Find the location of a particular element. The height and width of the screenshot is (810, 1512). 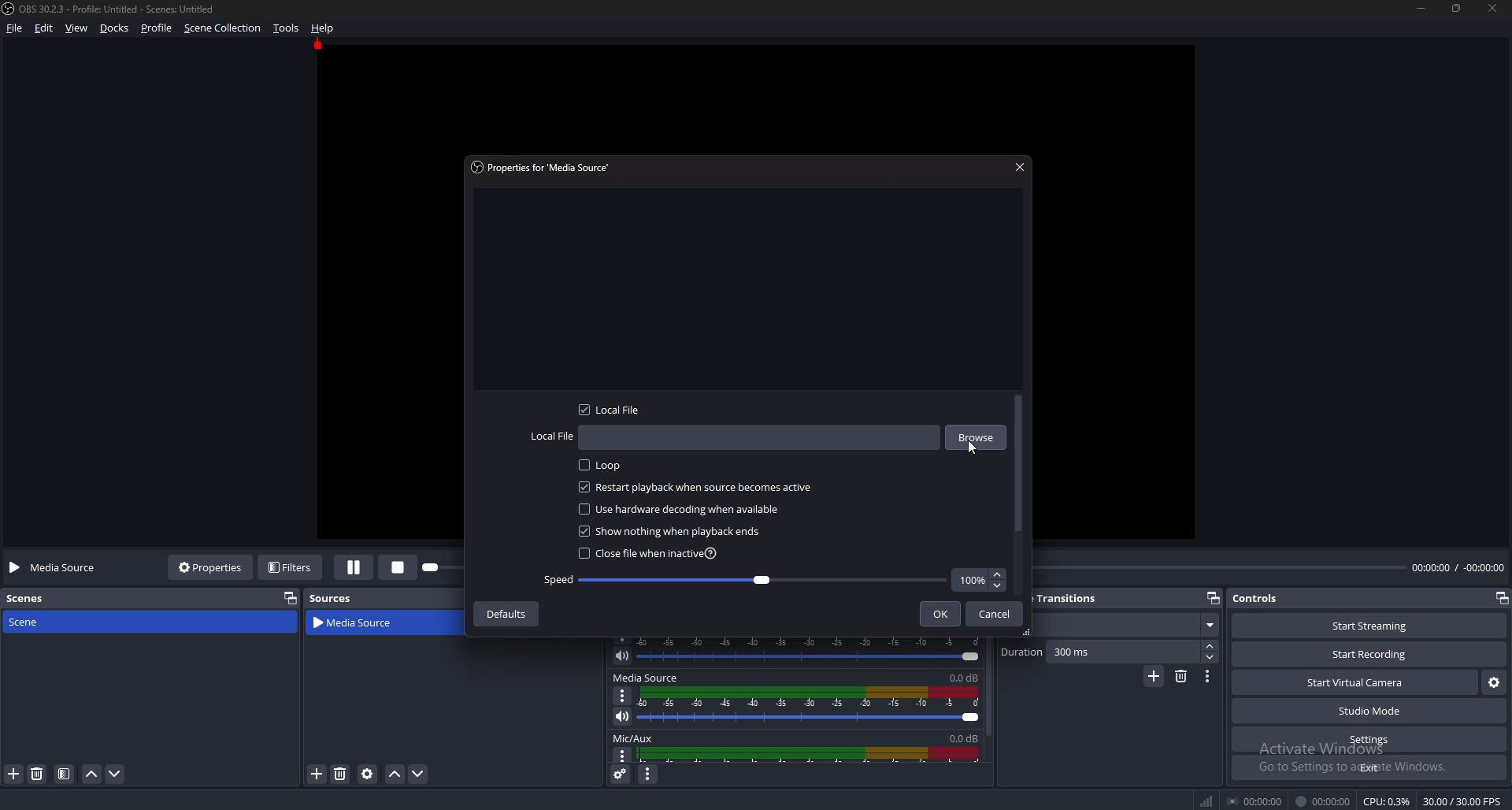

 Exit is located at coordinates (1370, 767).